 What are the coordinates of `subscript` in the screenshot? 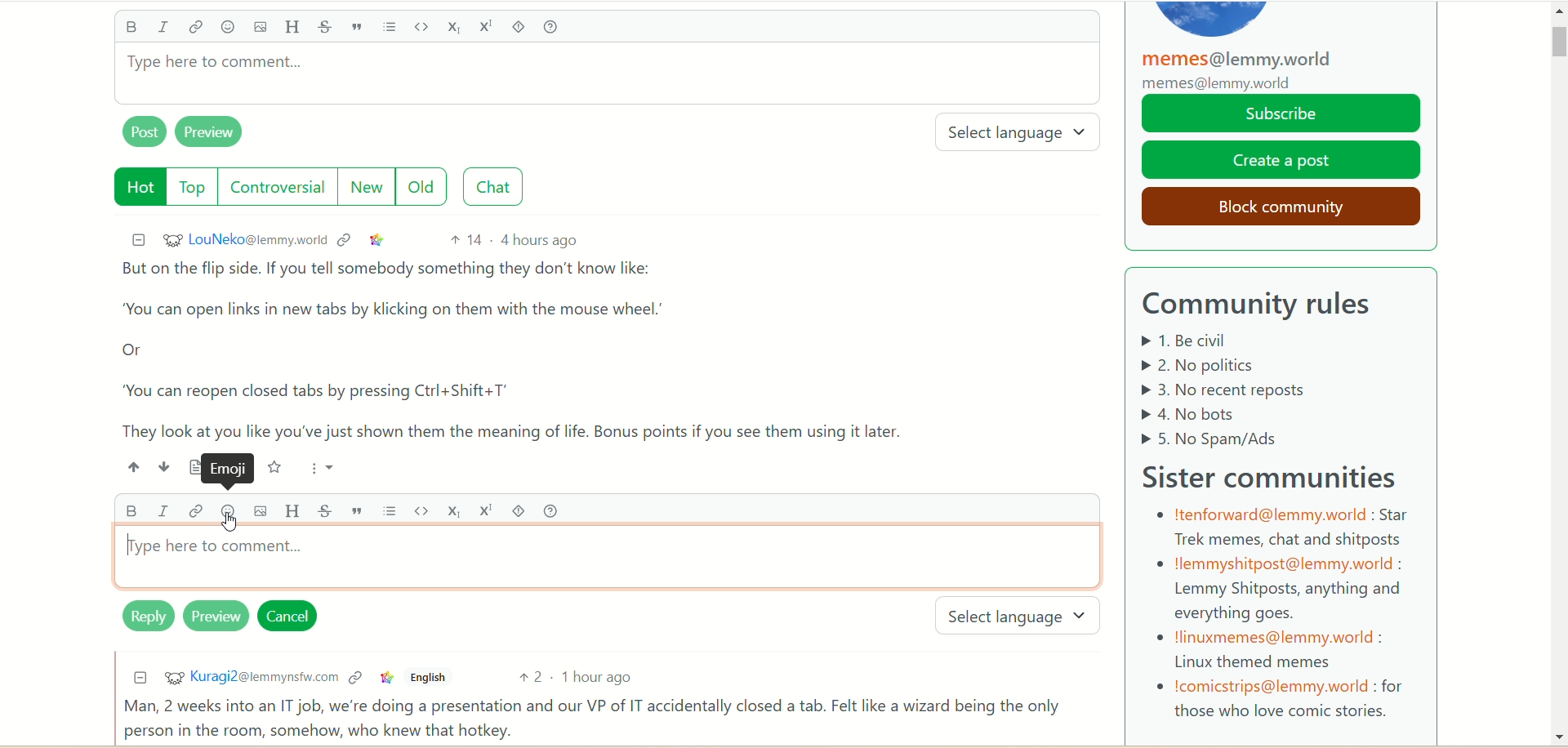 It's located at (457, 29).